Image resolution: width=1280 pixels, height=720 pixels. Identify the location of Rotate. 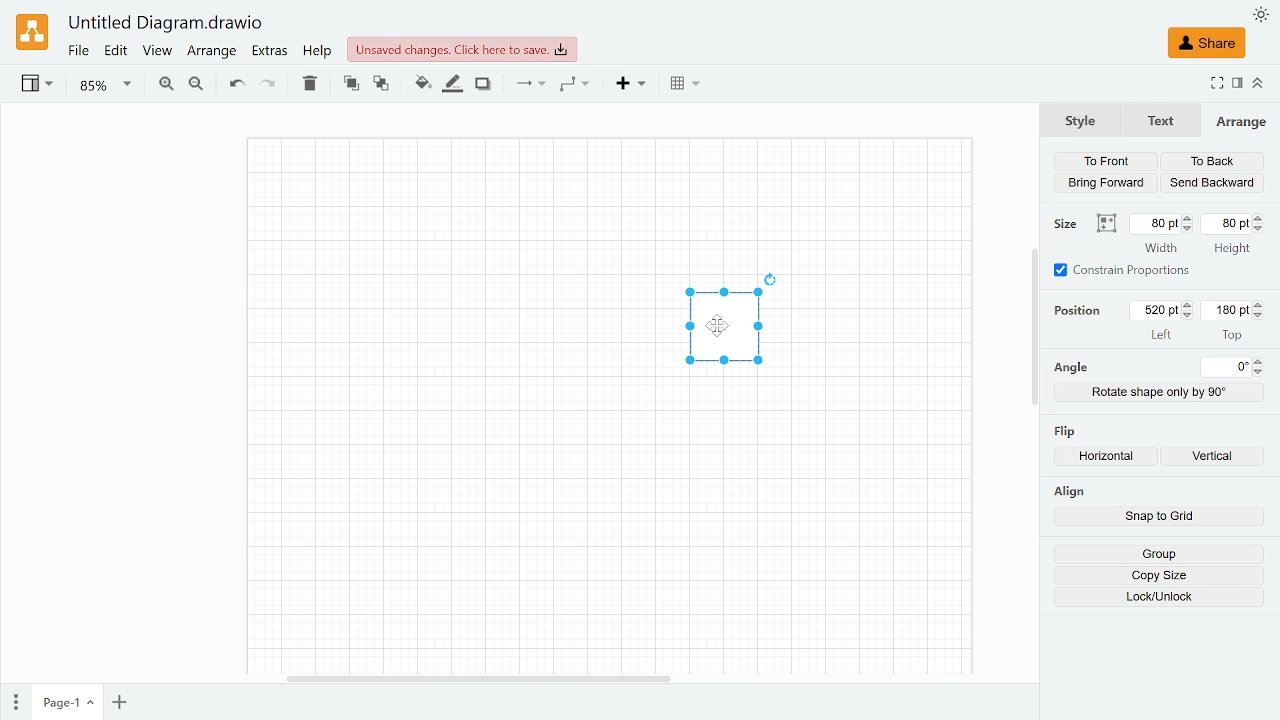
(772, 278).